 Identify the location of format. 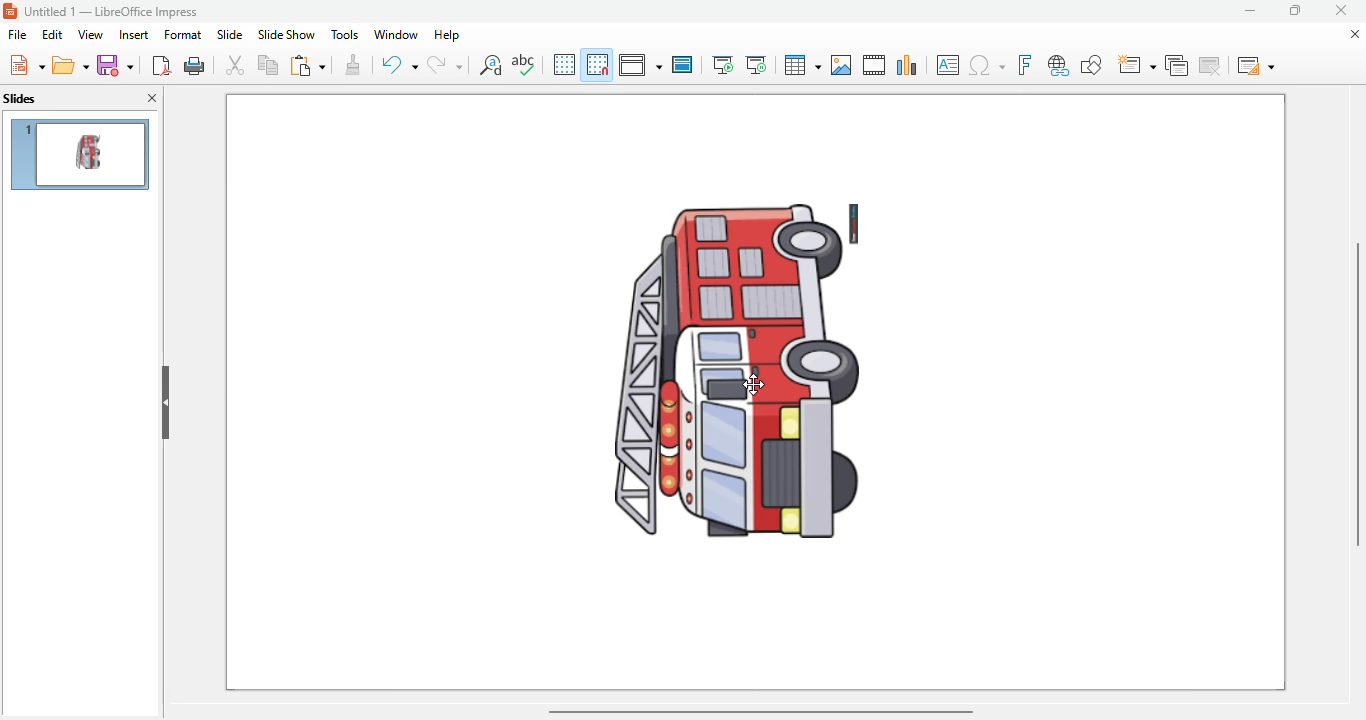
(183, 34).